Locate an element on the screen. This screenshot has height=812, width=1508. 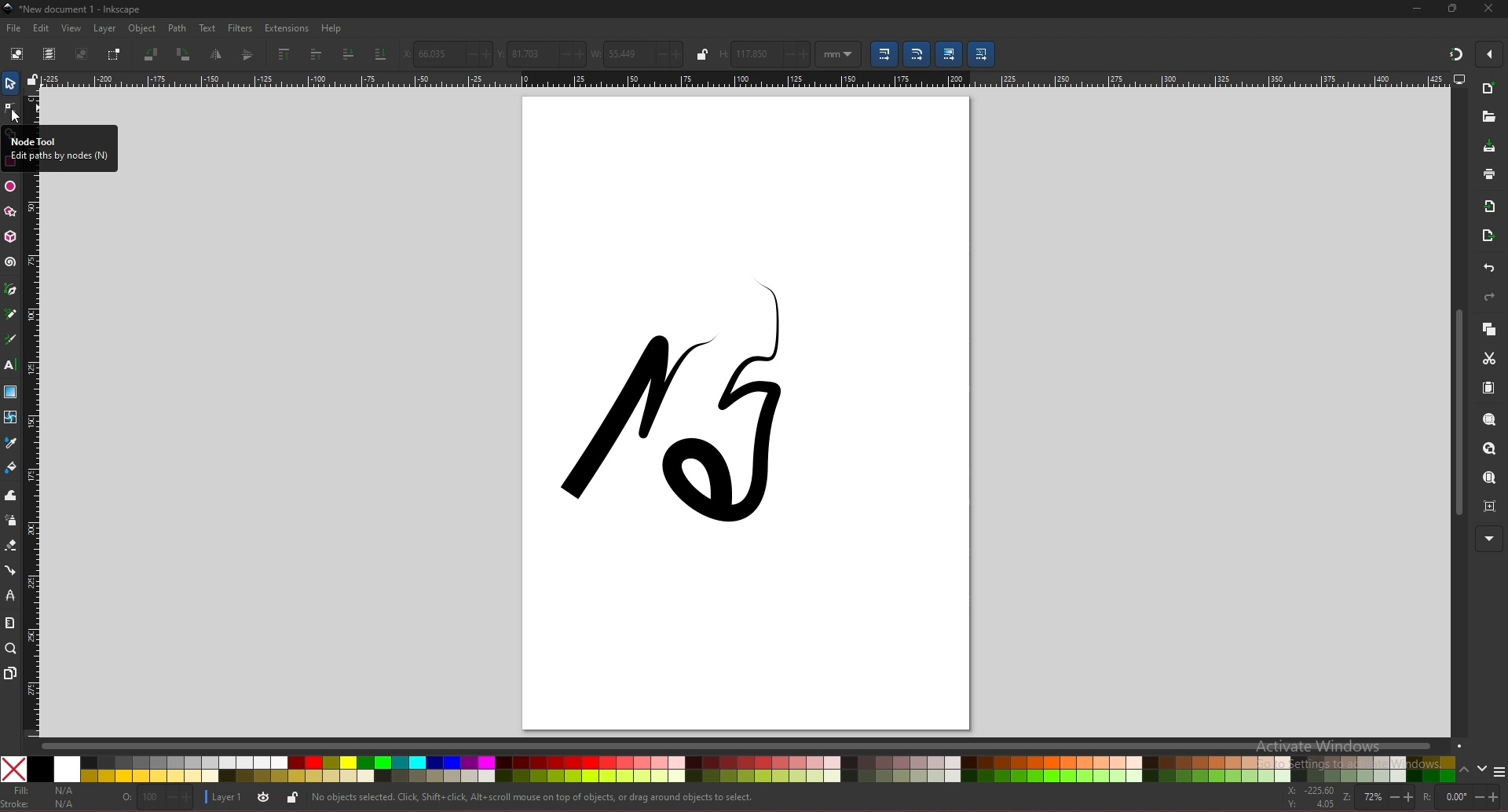
new is located at coordinates (1488, 90).